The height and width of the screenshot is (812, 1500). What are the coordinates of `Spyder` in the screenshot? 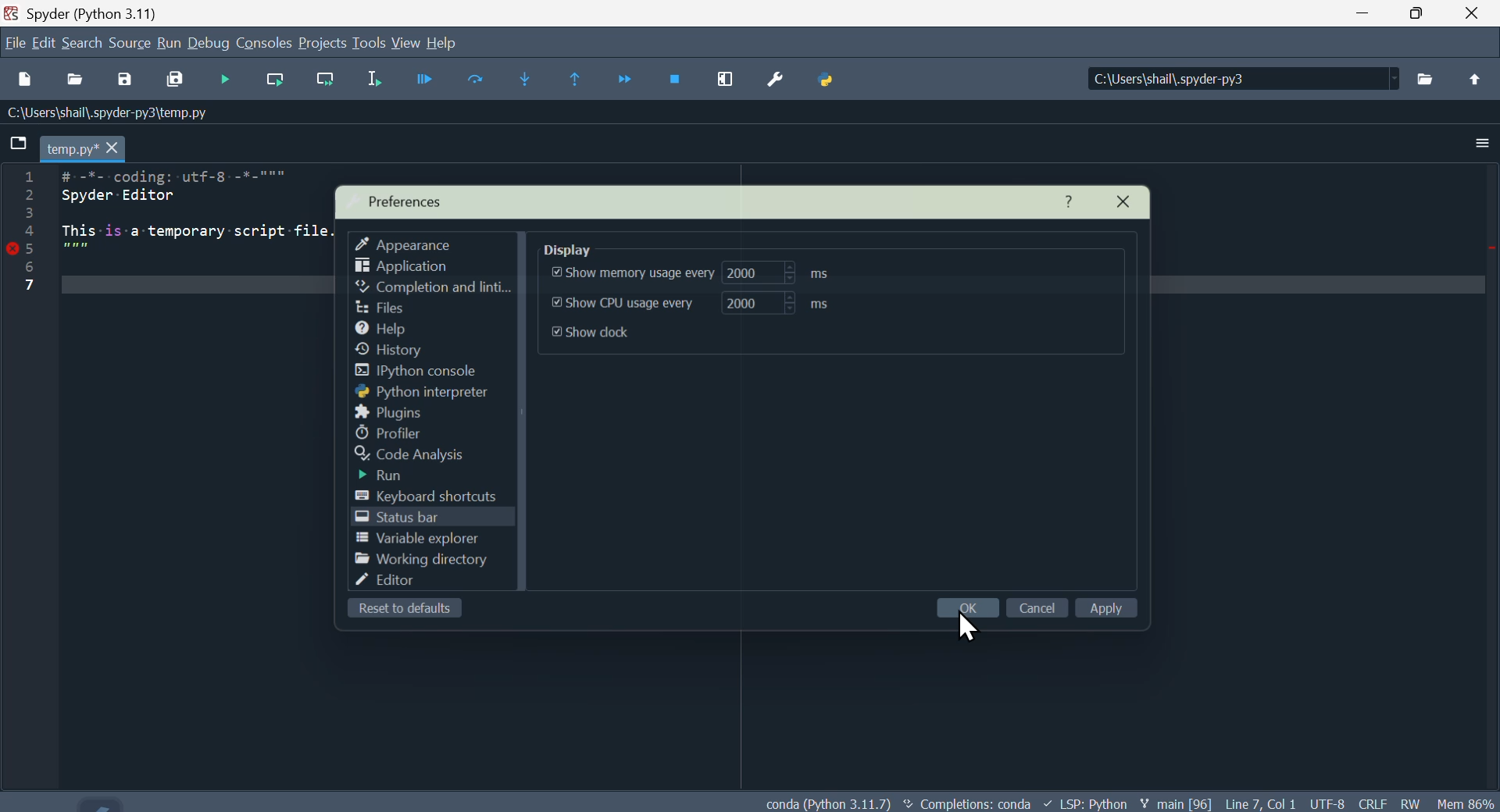 It's located at (99, 12).